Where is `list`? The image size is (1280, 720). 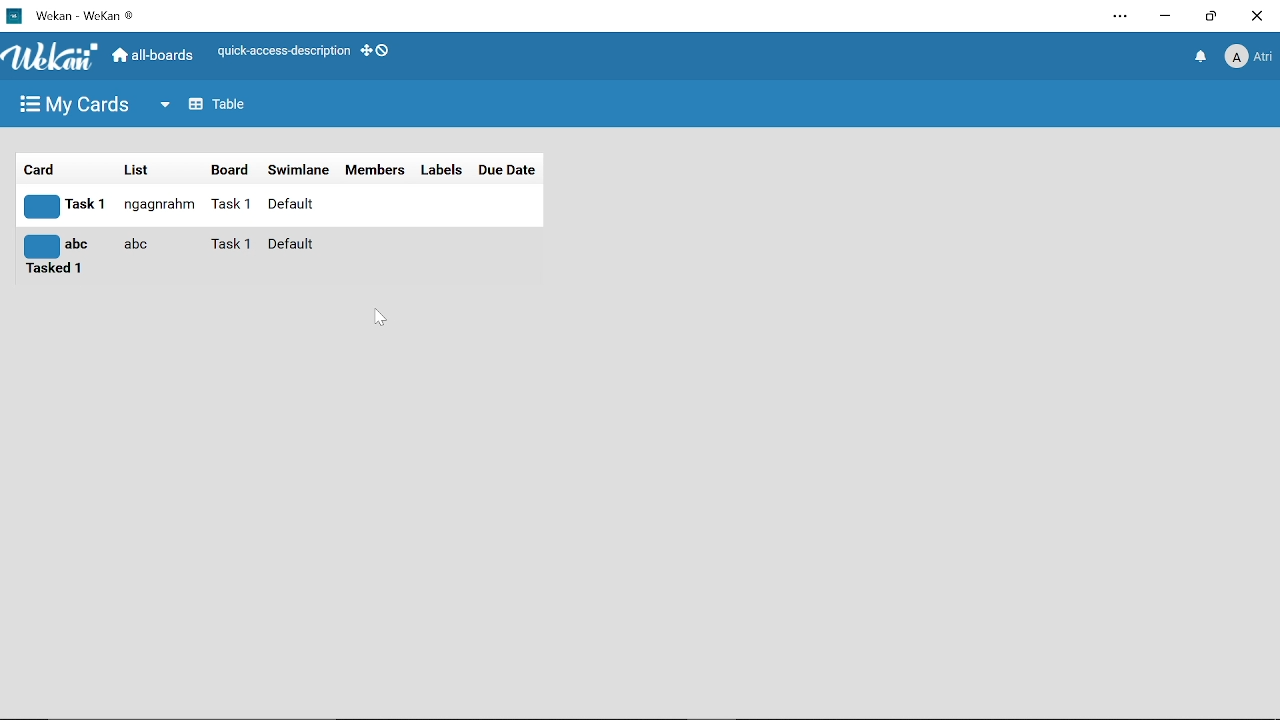 list is located at coordinates (141, 170).